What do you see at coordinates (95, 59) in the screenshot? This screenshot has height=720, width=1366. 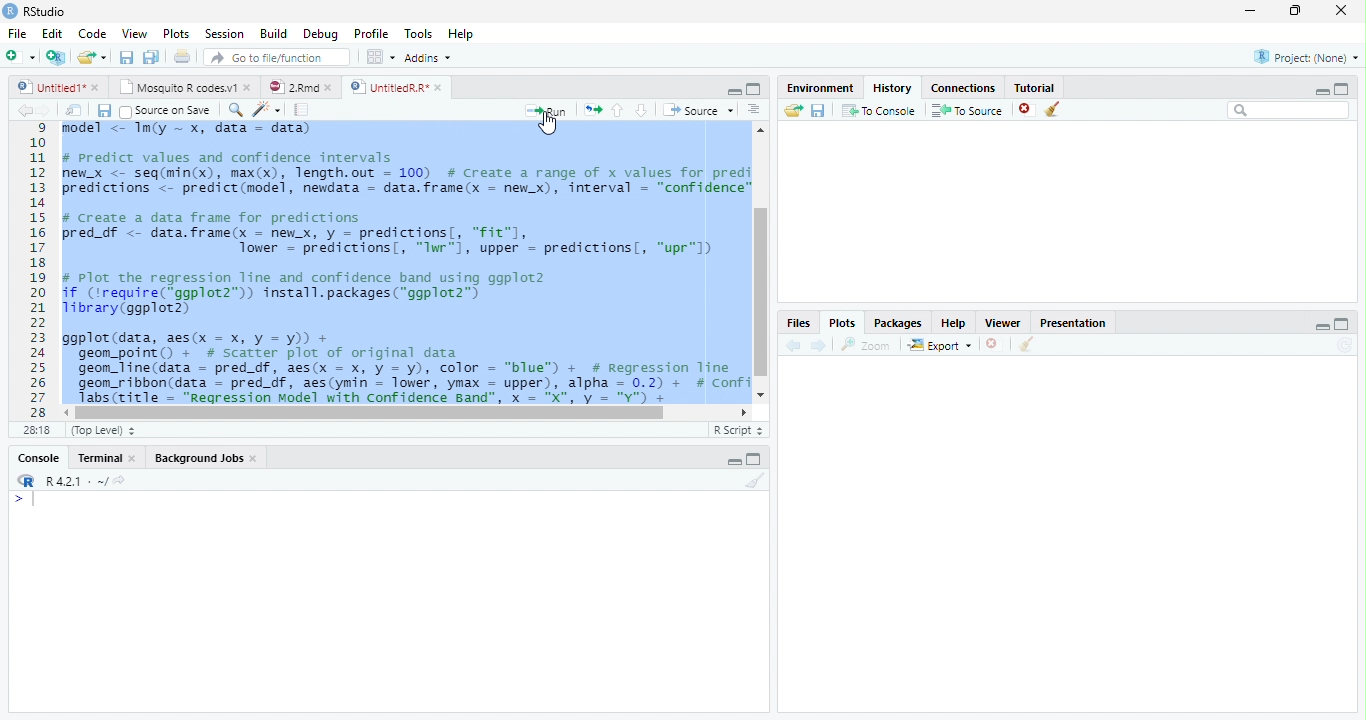 I see `Open an existing file` at bounding box center [95, 59].